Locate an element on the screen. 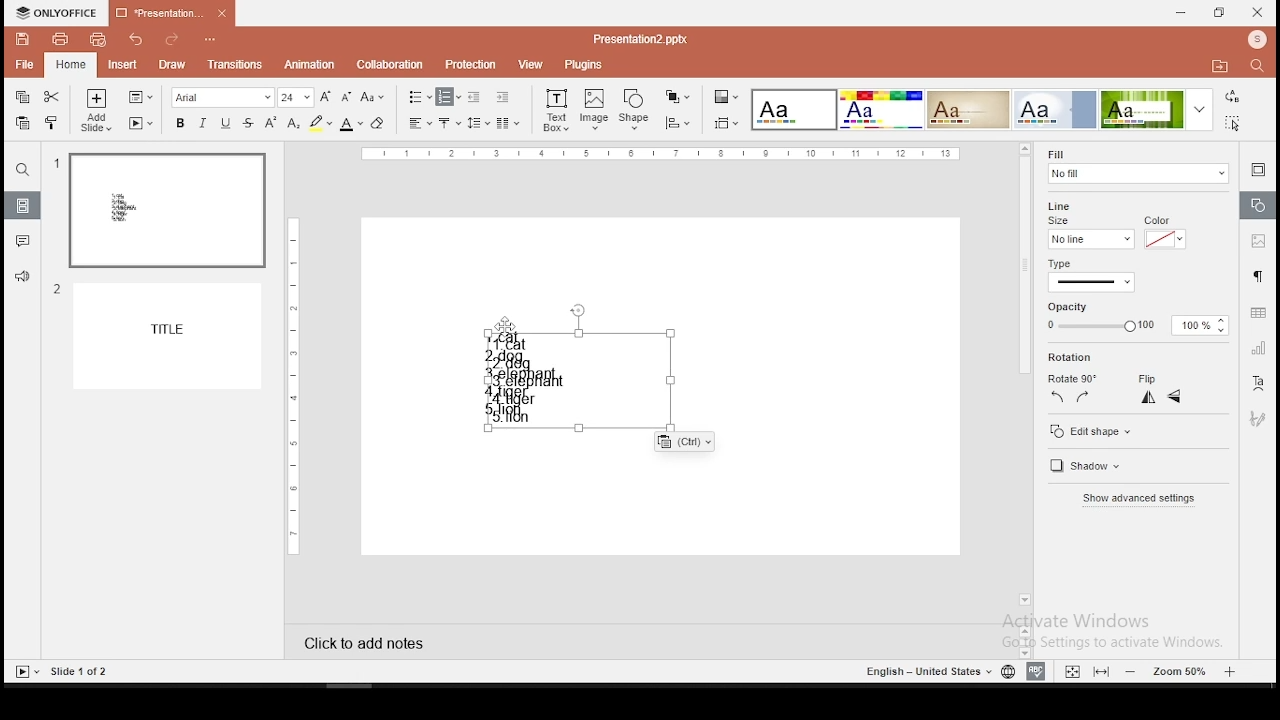 This screenshot has width=1280, height=720. shape is located at coordinates (635, 111).